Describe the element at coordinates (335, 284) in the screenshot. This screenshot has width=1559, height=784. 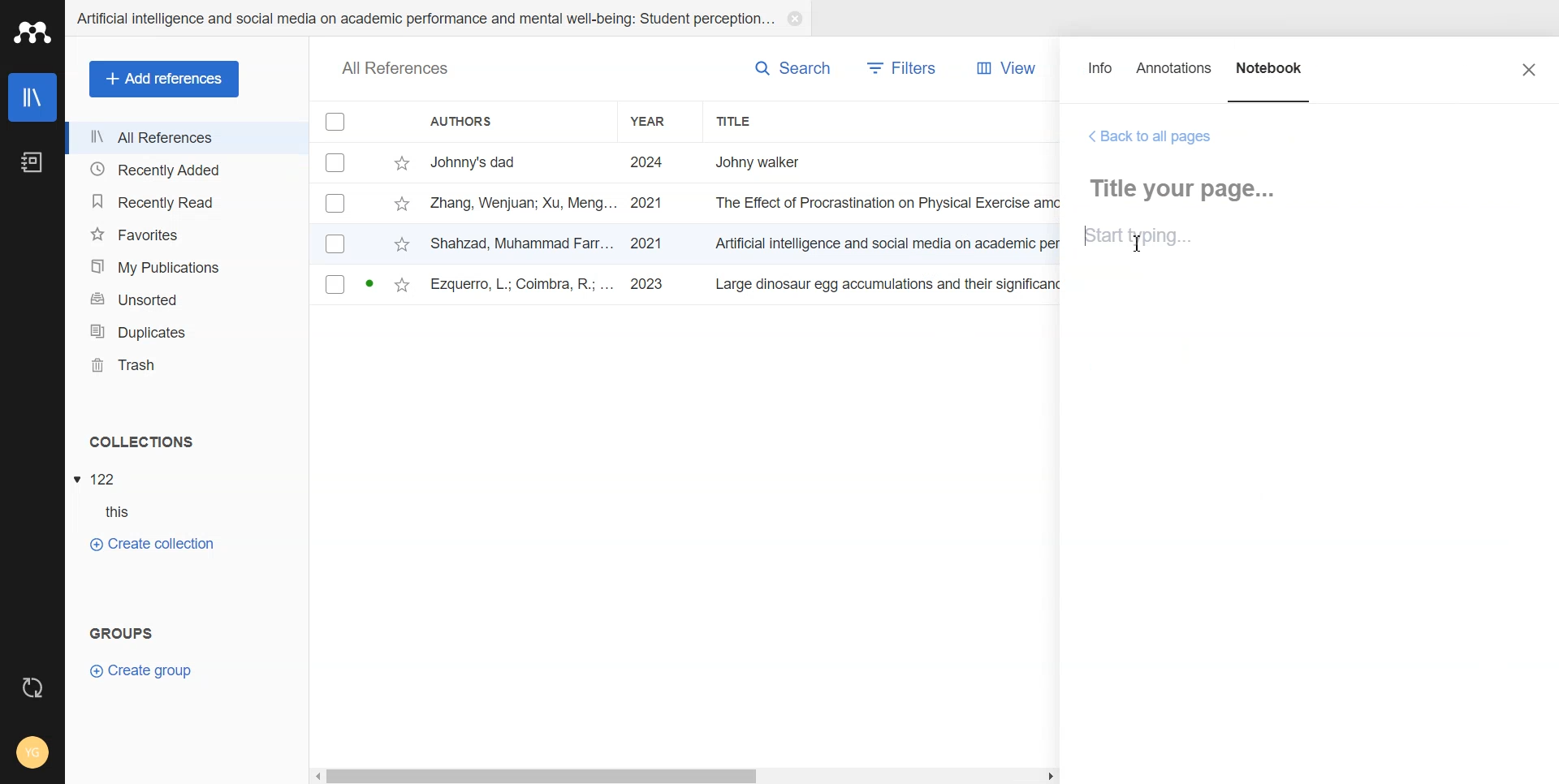
I see `Checkbox` at that location.